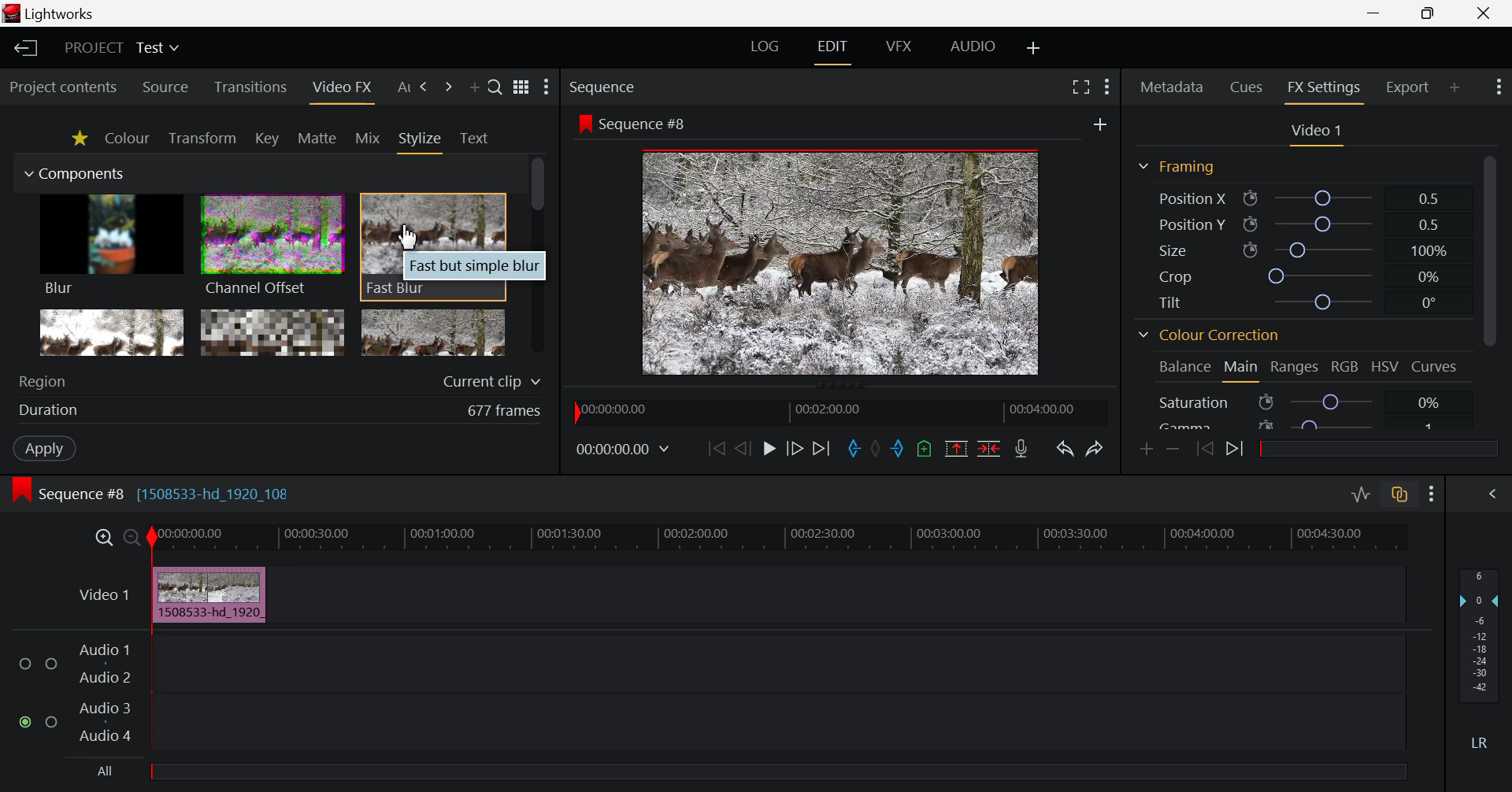 Image resolution: width=1512 pixels, height=792 pixels. What do you see at coordinates (798, 451) in the screenshot?
I see `Go Forward` at bounding box center [798, 451].